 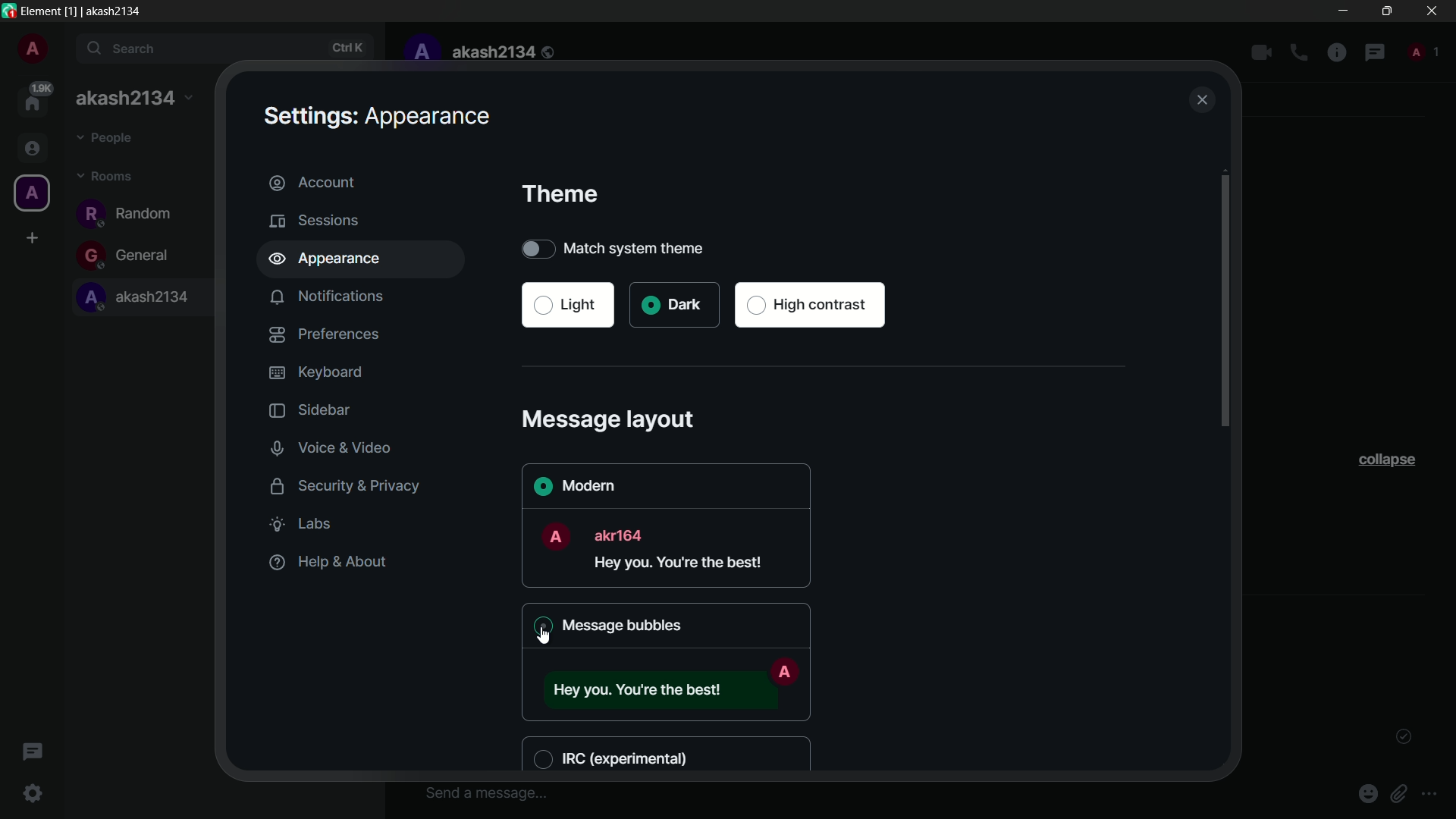 I want to click on threads, so click(x=1375, y=54).